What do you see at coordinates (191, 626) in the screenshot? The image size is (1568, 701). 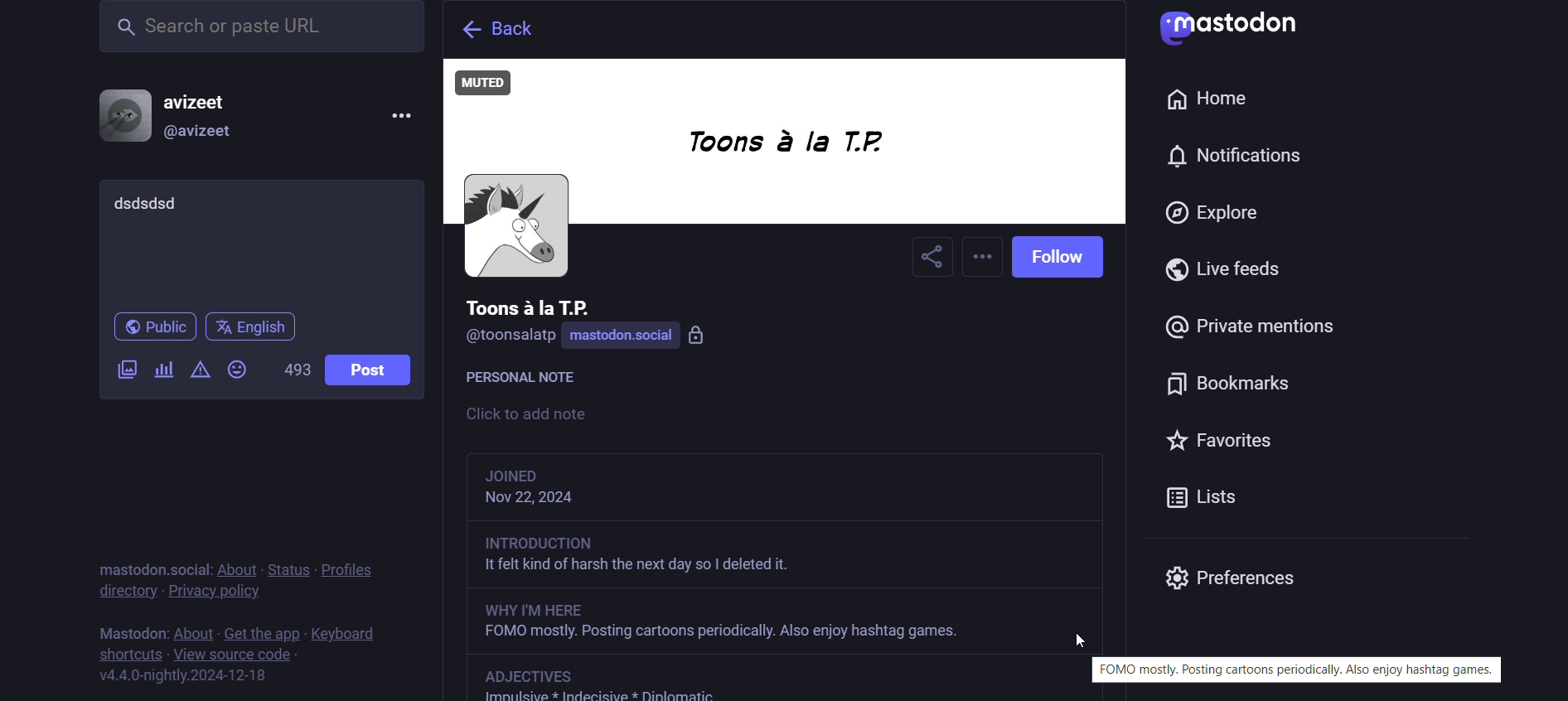 I see `about` at bounding box center [191, 626].